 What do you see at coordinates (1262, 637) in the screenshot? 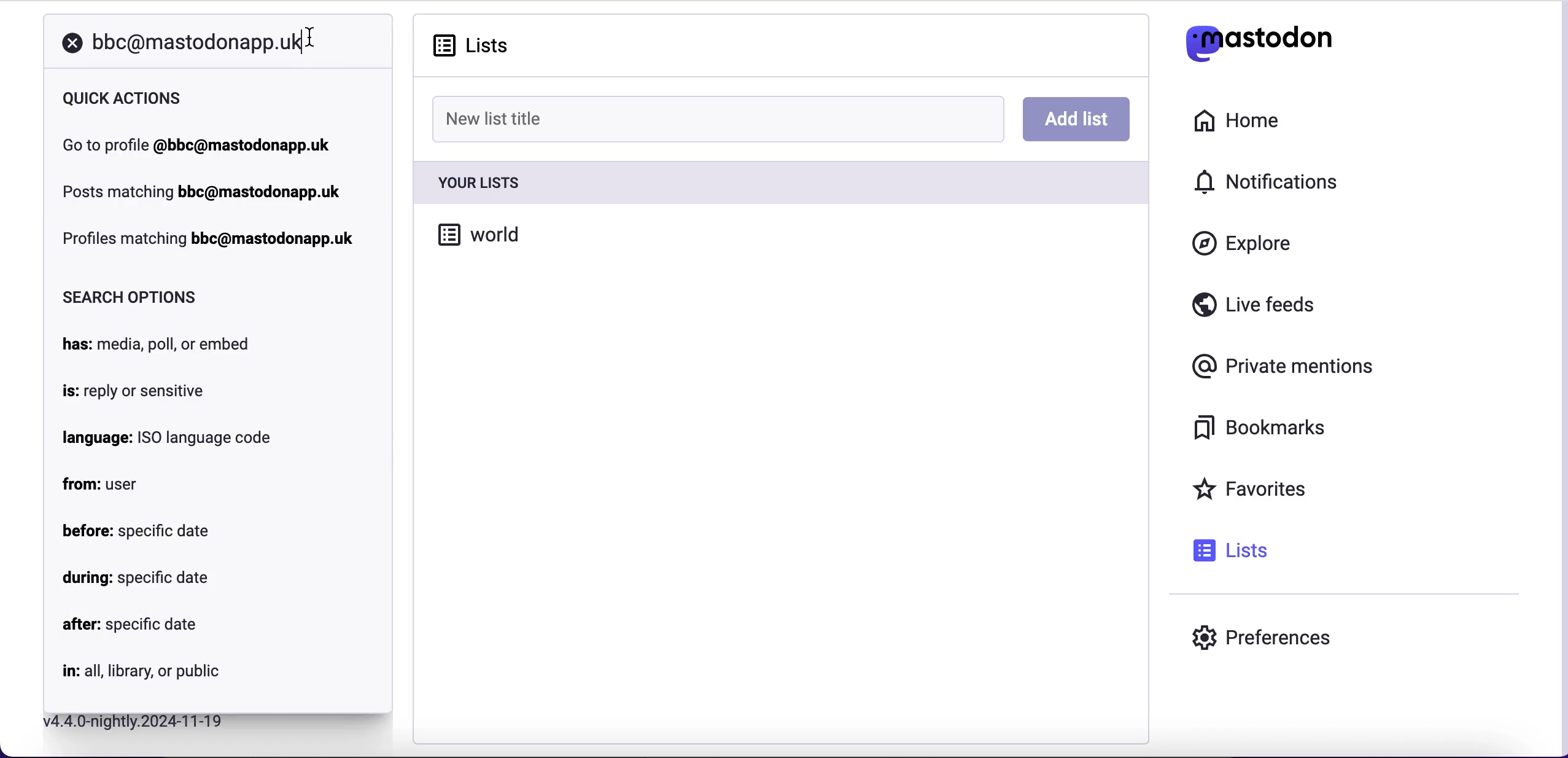
I see `preferences` at bounding box center [1262, 637].